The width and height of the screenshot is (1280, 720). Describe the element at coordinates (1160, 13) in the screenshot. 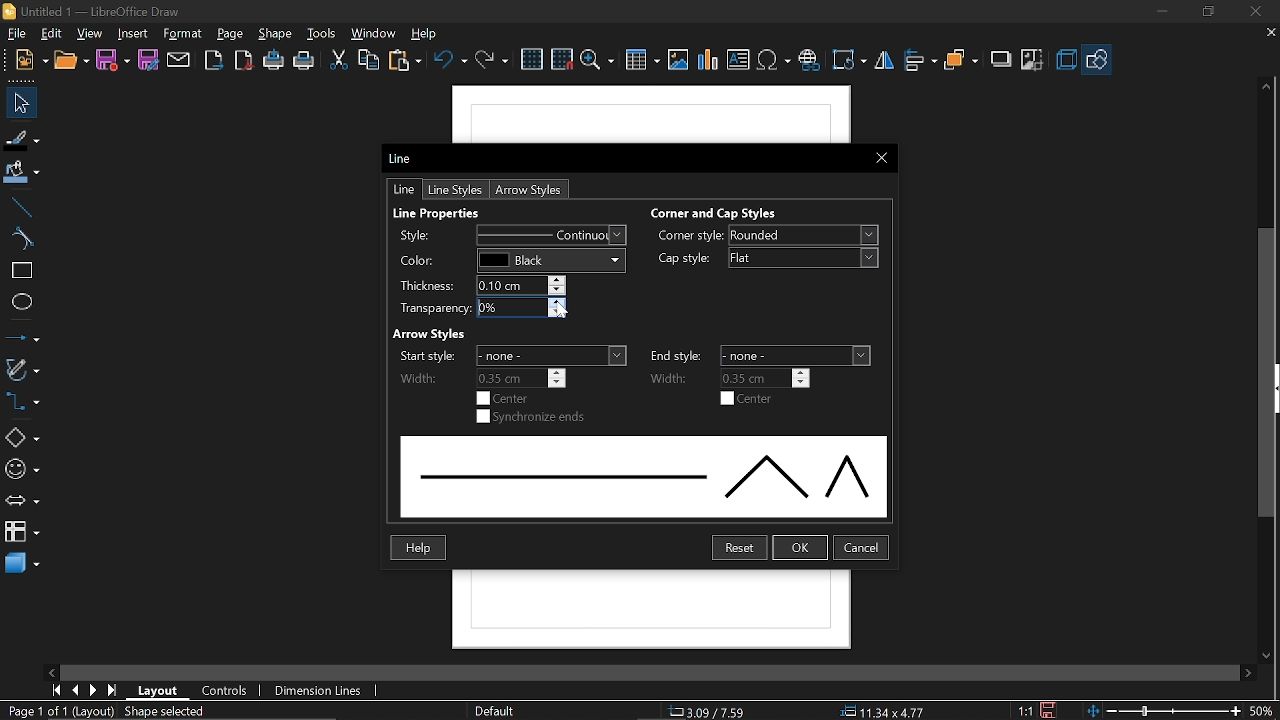

I see `Minimize` at that location.